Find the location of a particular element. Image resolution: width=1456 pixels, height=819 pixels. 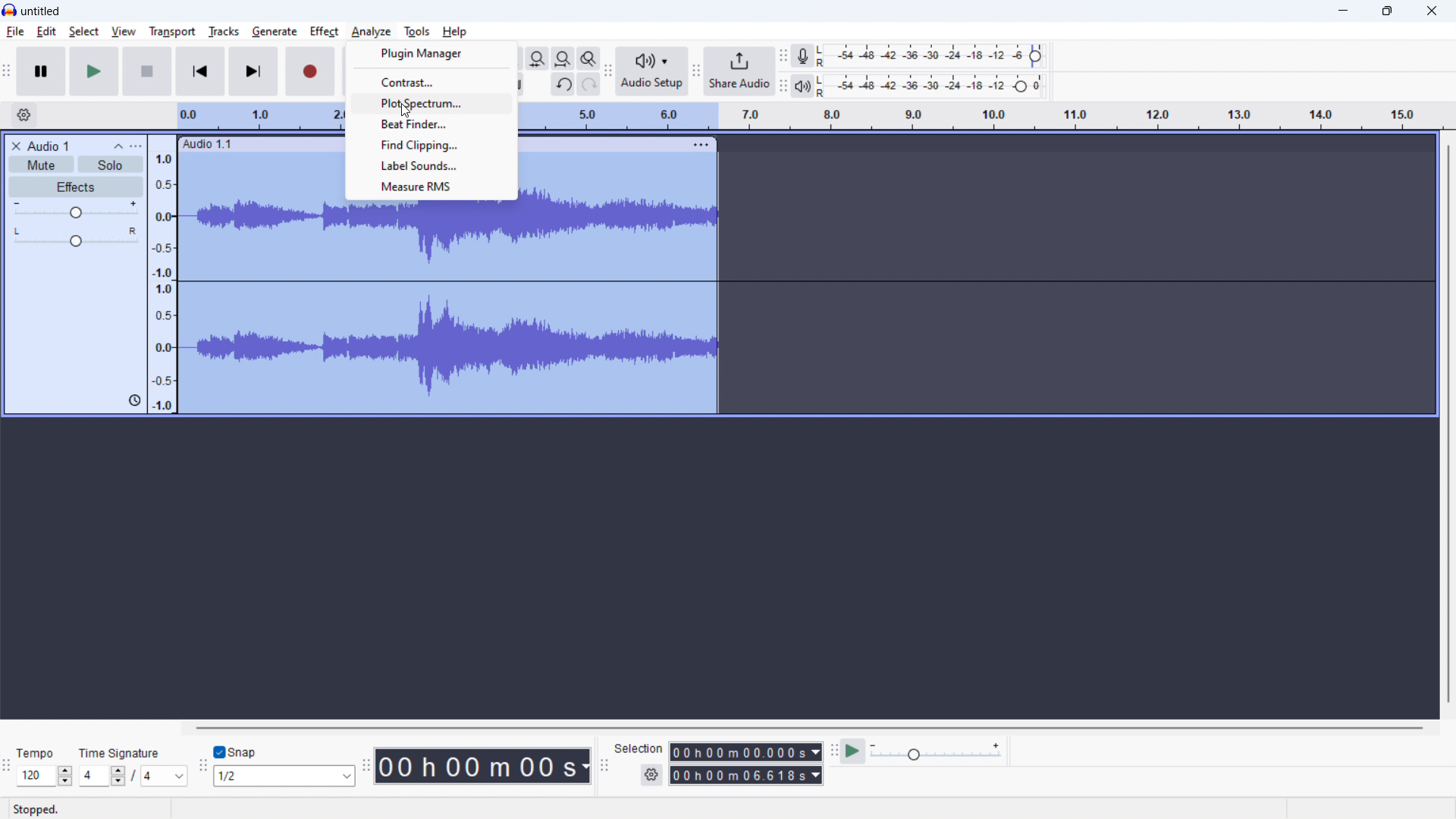

collapse is located at coordinates (118, 146).